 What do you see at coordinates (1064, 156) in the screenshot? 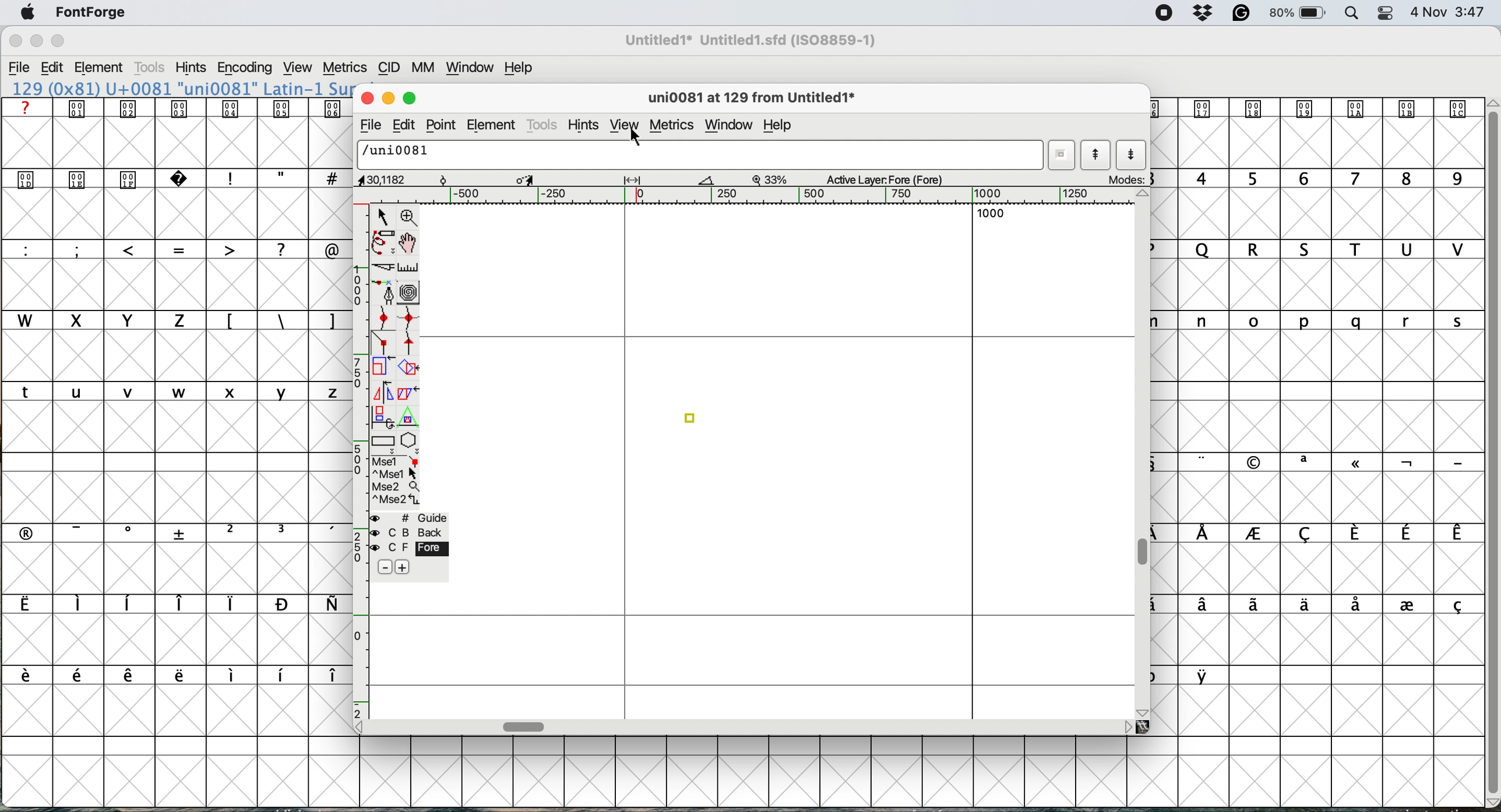
I see `word list` at bounding box center [1064, 156].